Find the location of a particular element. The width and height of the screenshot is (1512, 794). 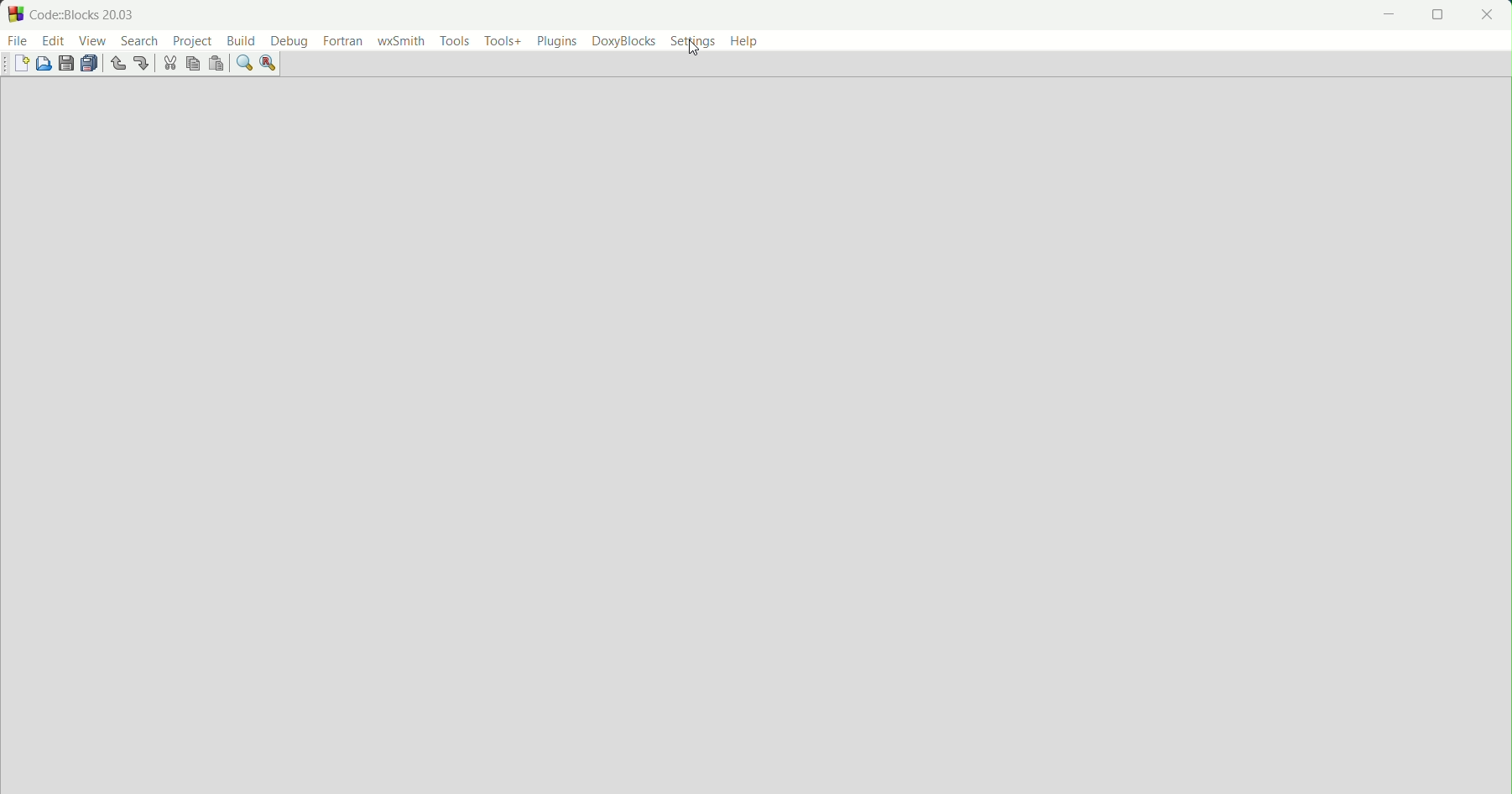

file is located at coordinates (18, 42).